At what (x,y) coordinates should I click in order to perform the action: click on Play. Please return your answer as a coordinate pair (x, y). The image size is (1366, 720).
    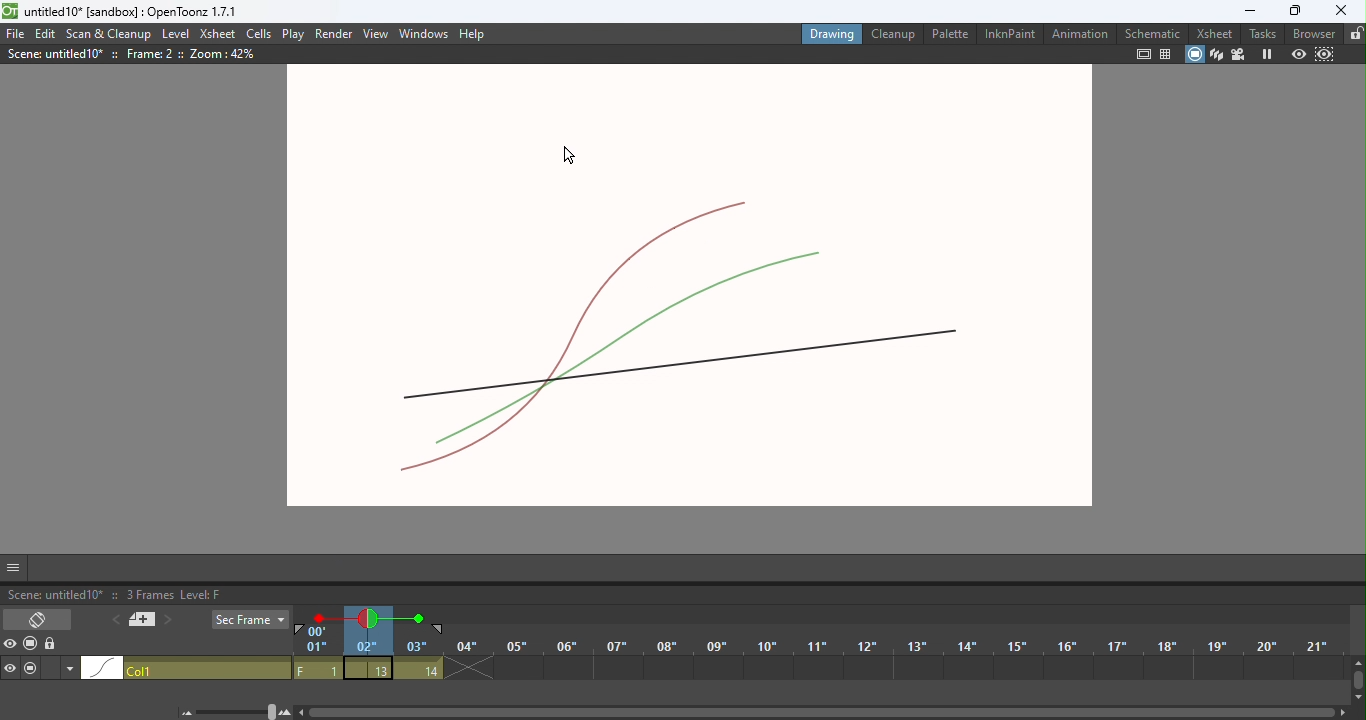
    Looking at the image, I should click on (292, 34).